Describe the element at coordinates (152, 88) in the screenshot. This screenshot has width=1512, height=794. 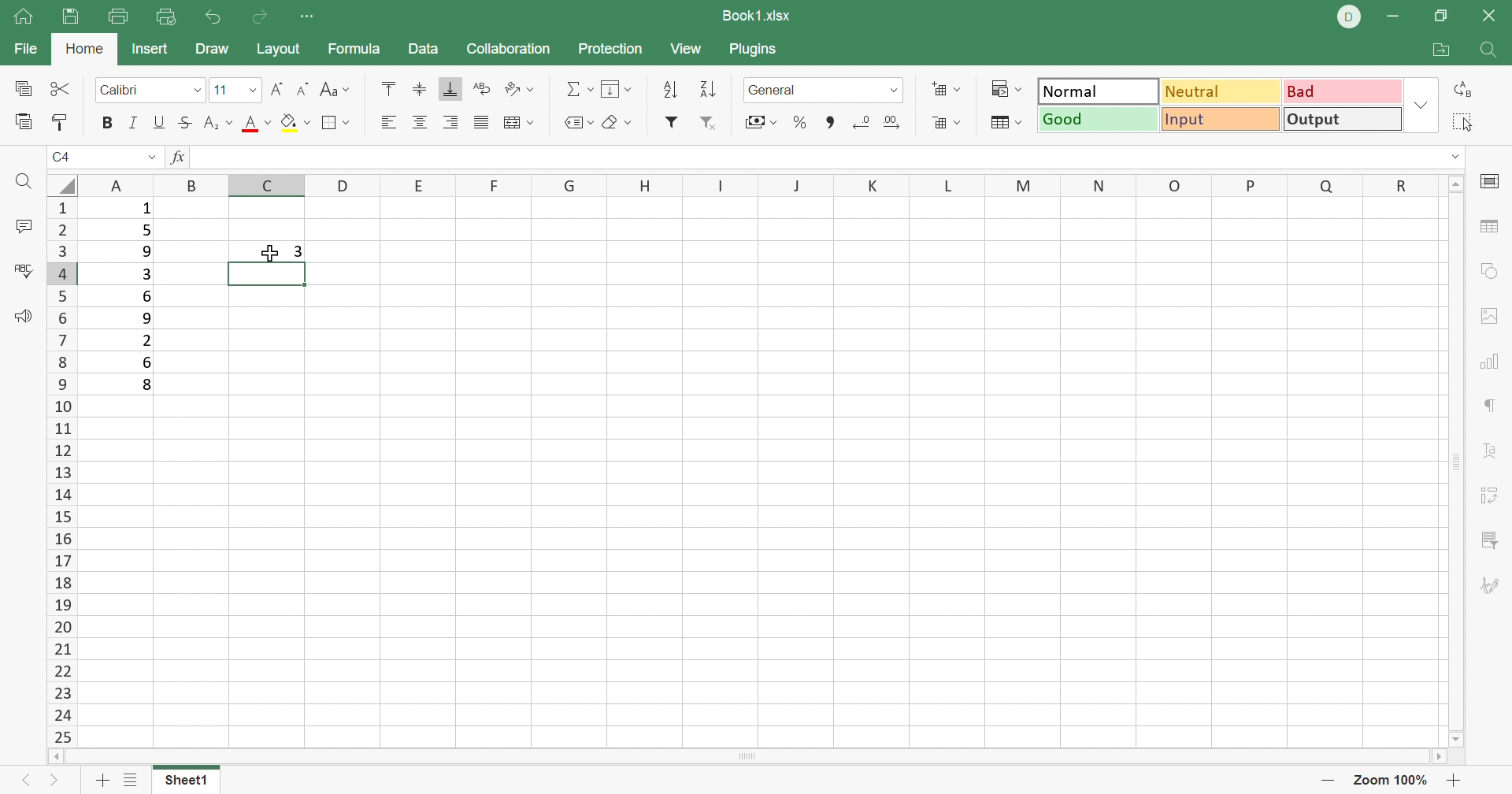
I see `Font` at that location.